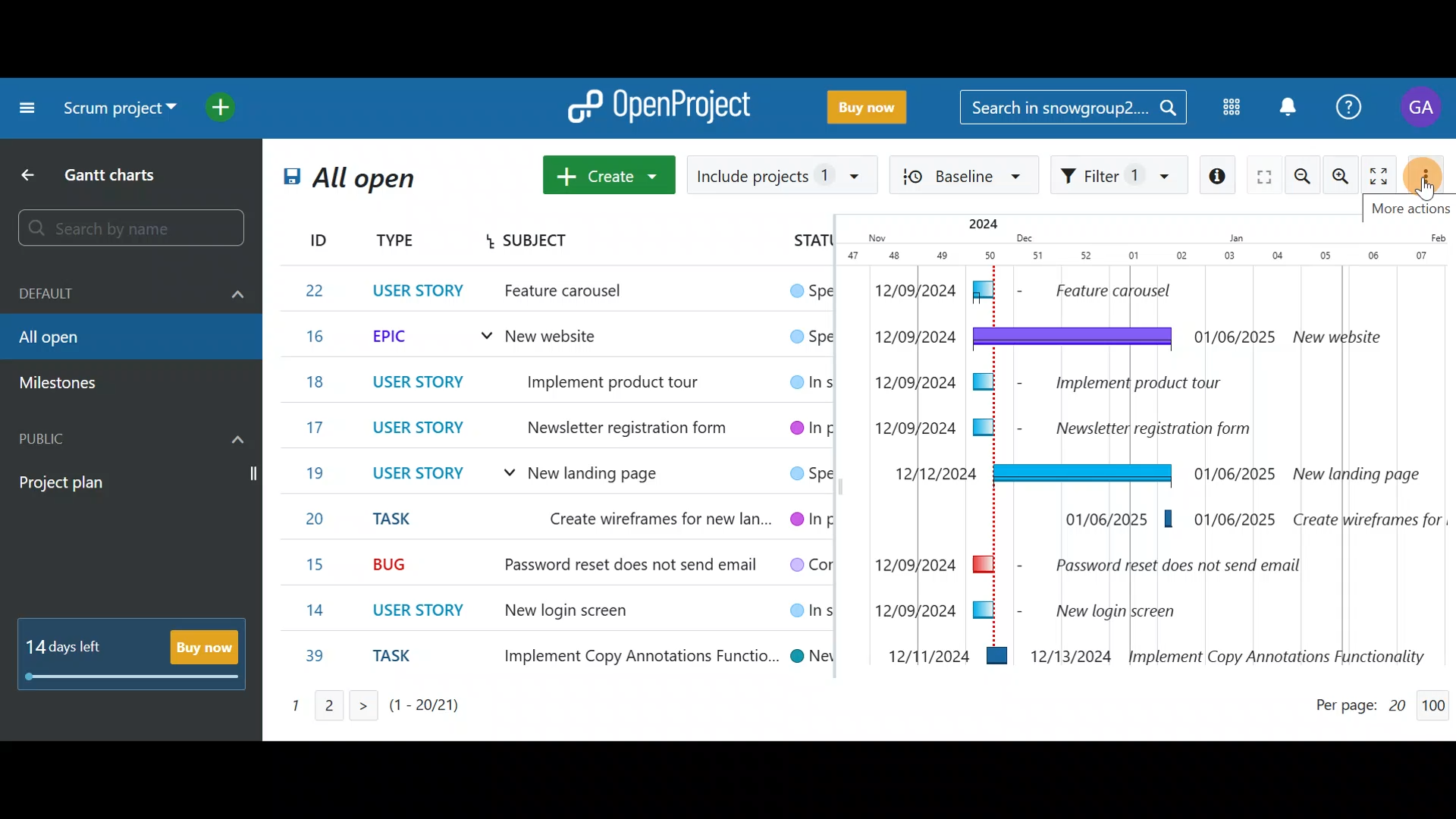 The image size is (1456, 819). I want to click on Default, so click(133, 295).